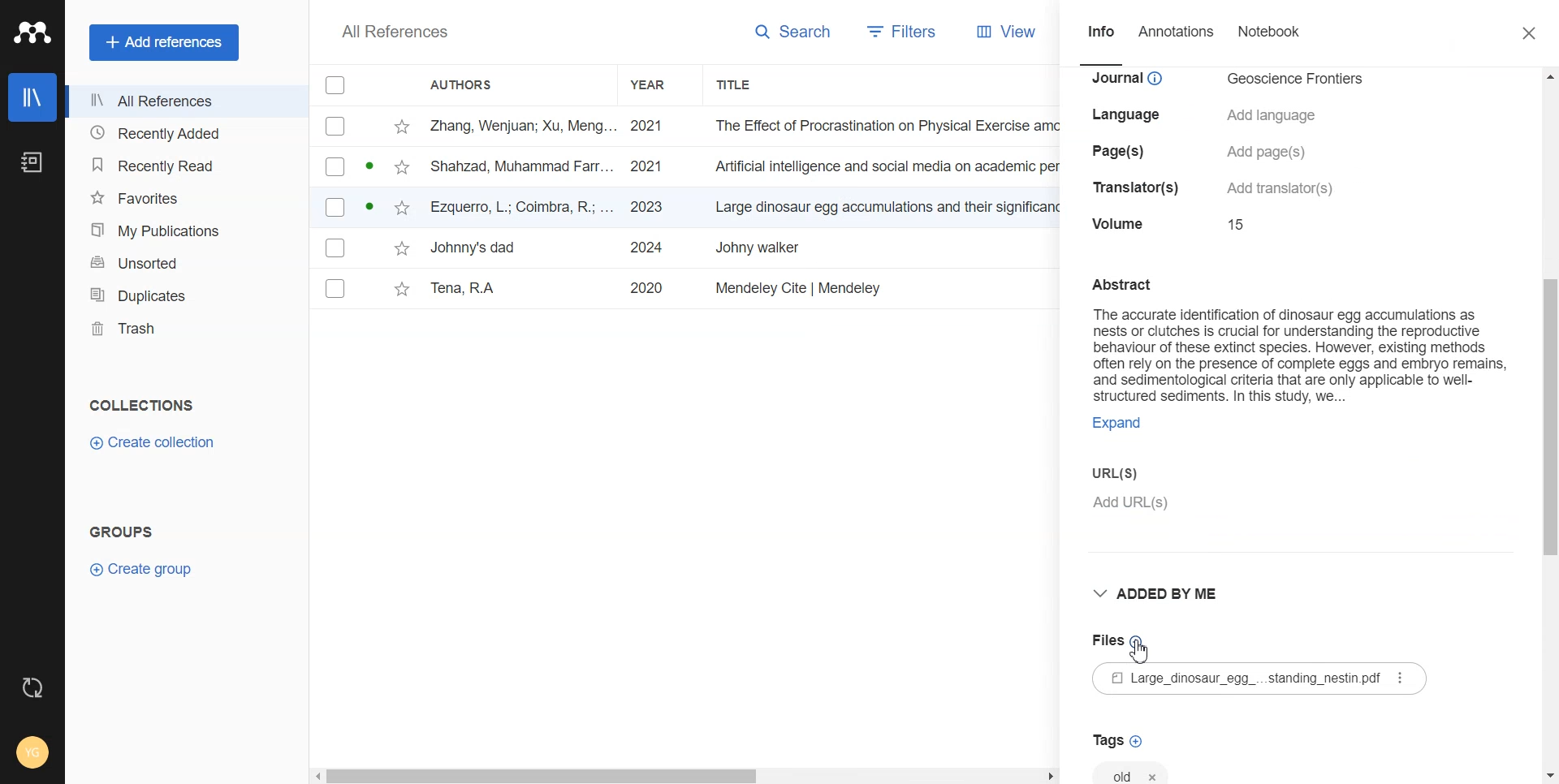 The width and height of the screenshot is (1559, 784). Describe the element at coordinates (32, 97) in the screenshot. I see `Library ` at that location.